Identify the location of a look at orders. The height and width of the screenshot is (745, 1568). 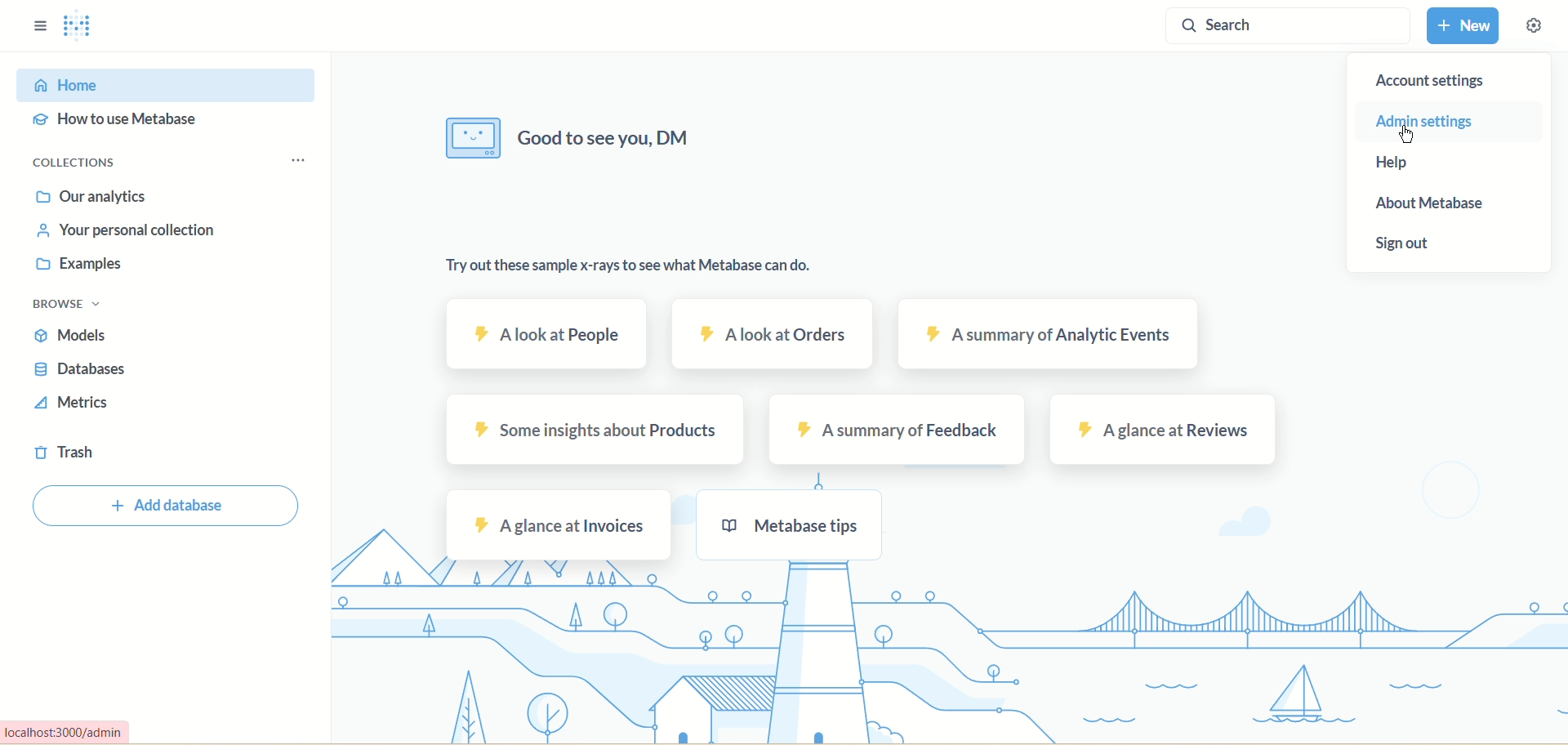
(775, 336).